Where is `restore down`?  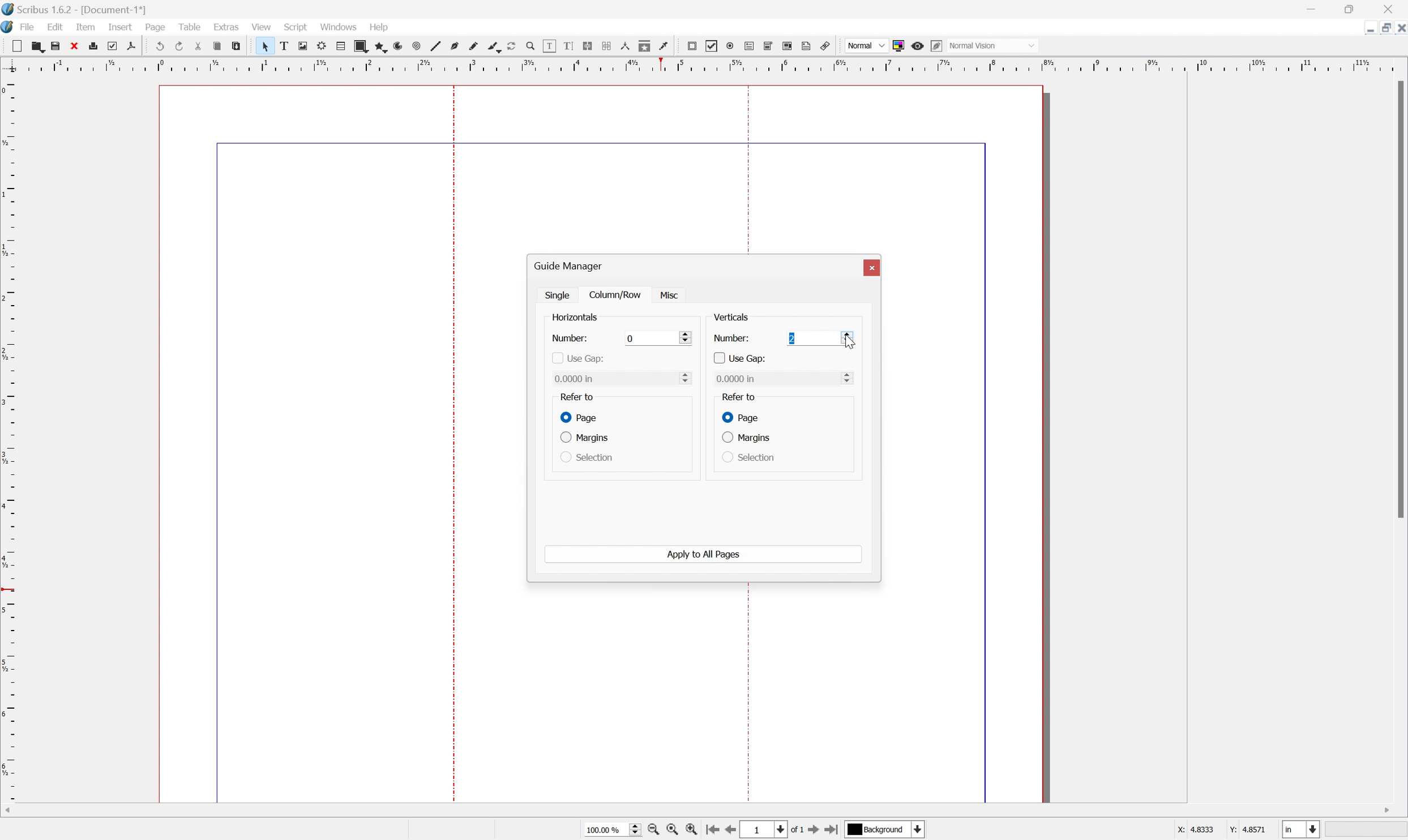
restore down is located at coordinates (1381, 28).